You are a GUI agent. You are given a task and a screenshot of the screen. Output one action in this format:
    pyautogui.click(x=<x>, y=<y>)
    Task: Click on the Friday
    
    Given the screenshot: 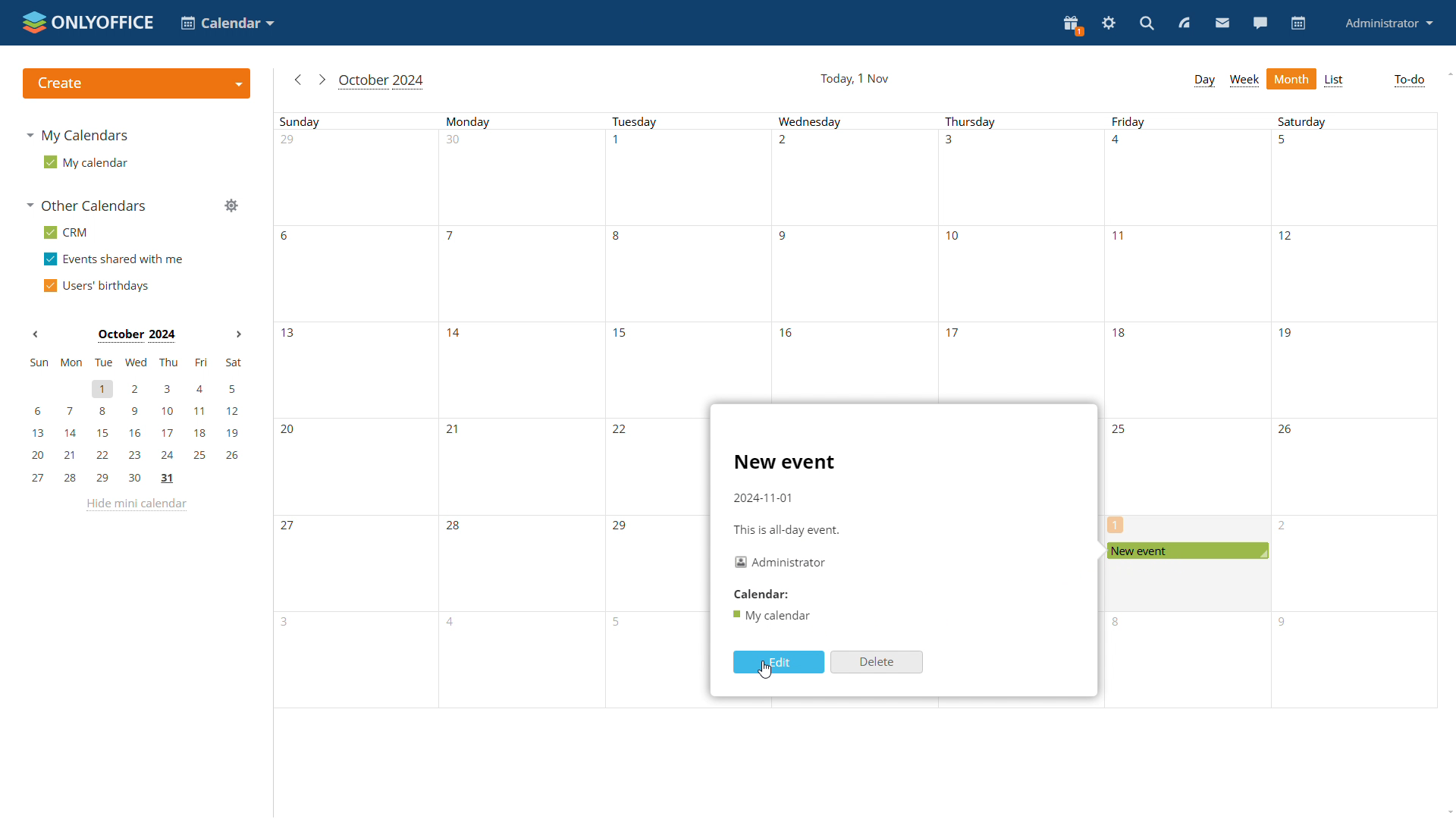 What is the action you would take?
    pyautogui.click(x=1188, y=322)
    